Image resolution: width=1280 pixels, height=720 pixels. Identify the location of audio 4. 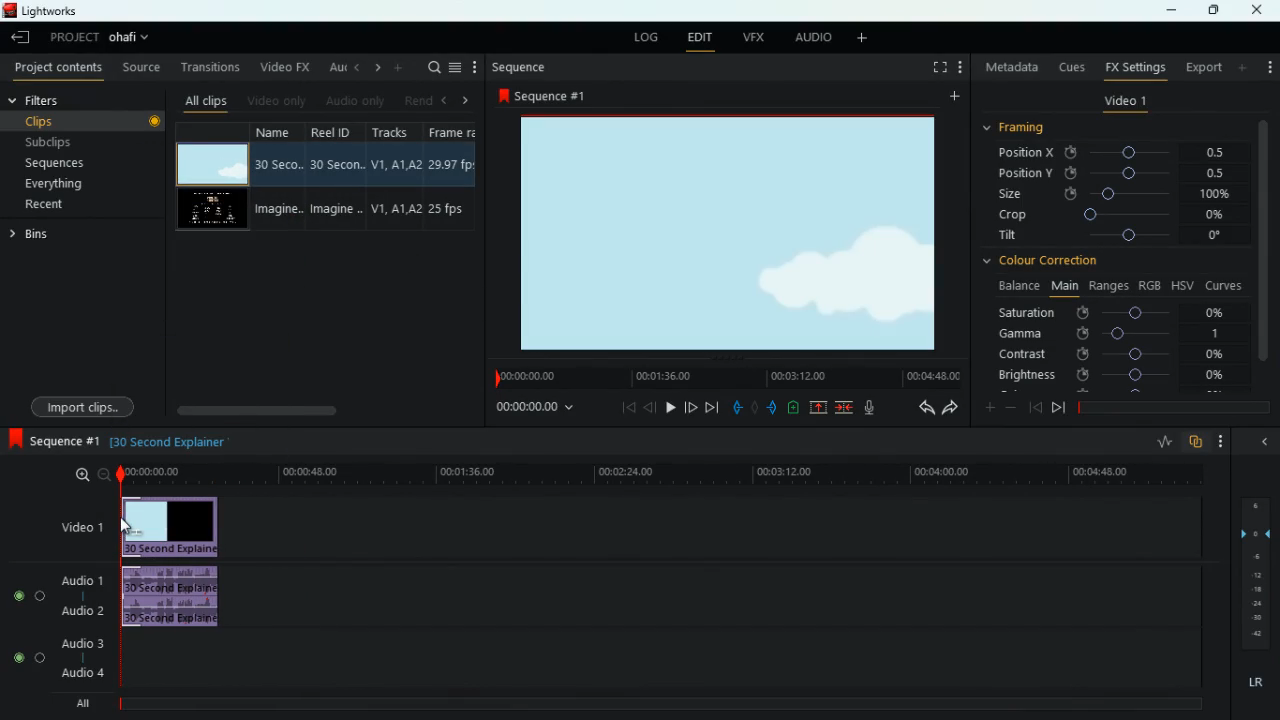
(79, 672).